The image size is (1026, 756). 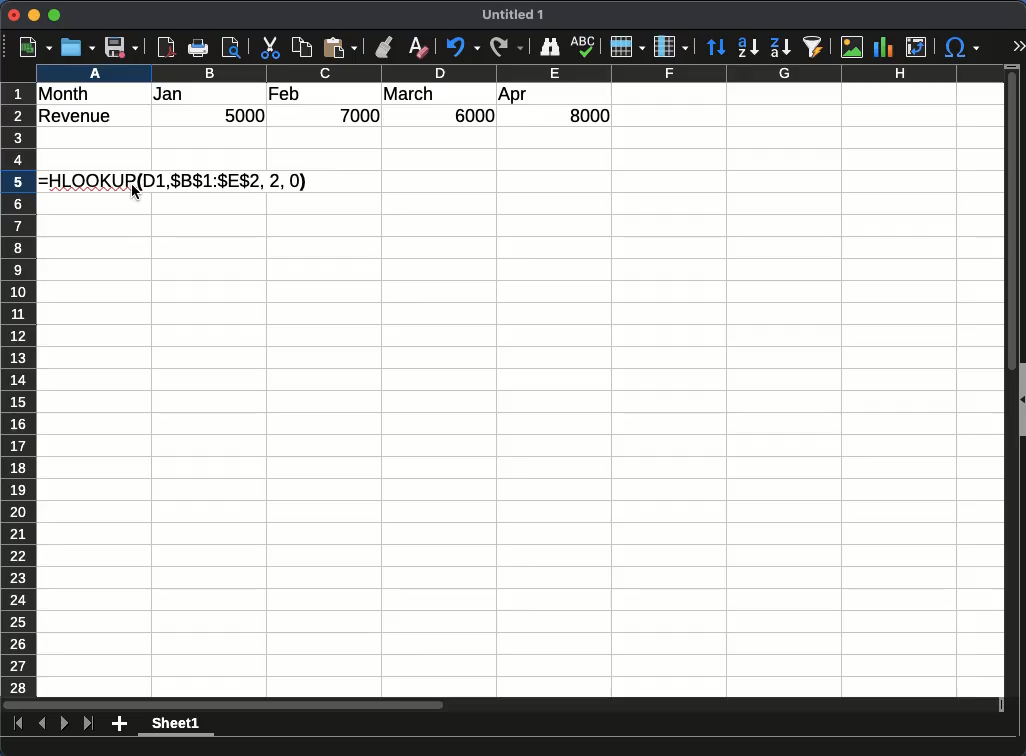 What do you see at coordinates (19, 723) in the screenshot?
I see `first sheet` at bounding box center [19, 723].